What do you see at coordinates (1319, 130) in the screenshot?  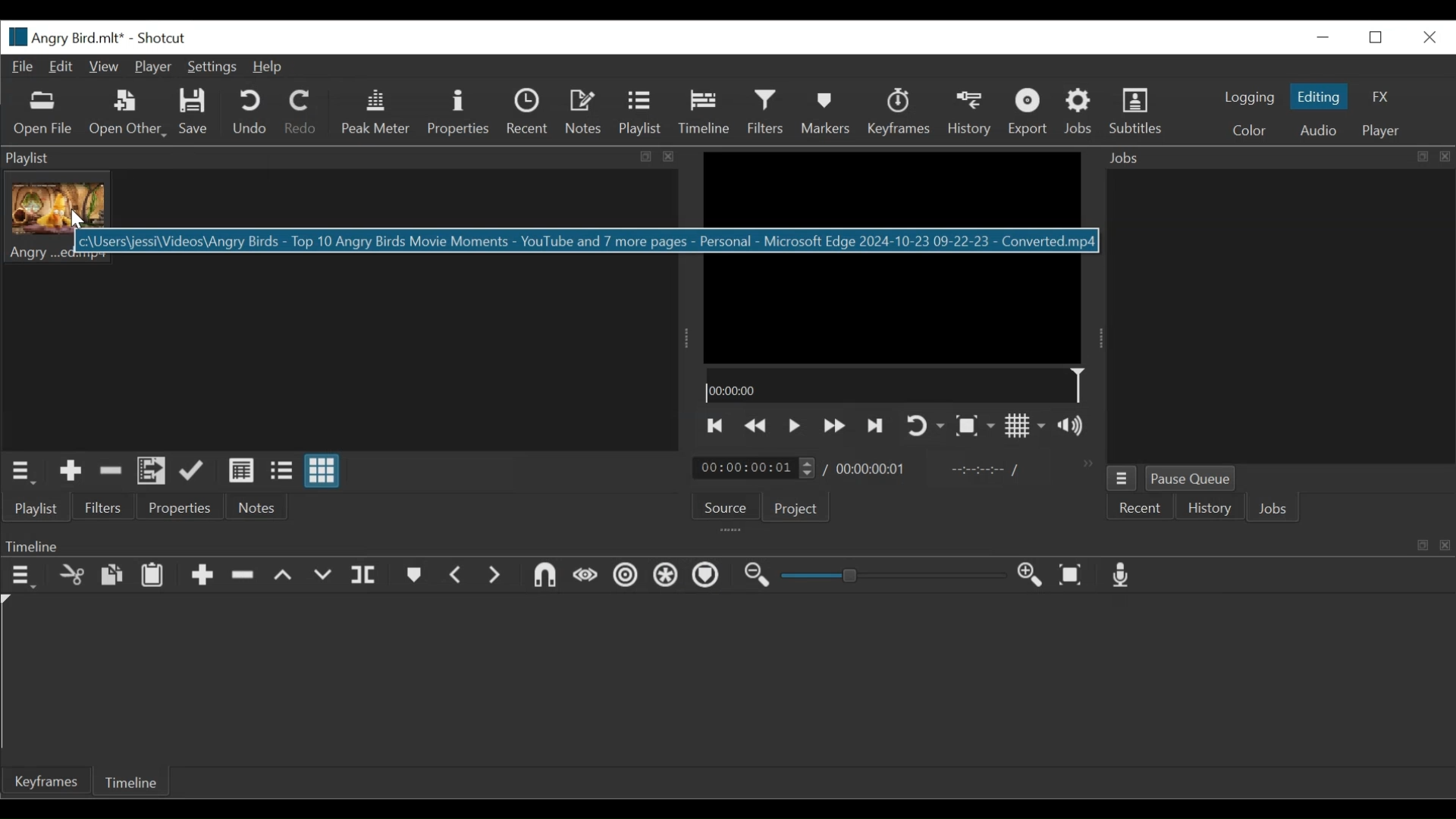 I see `Audio` at bounding box center [1319, 130].